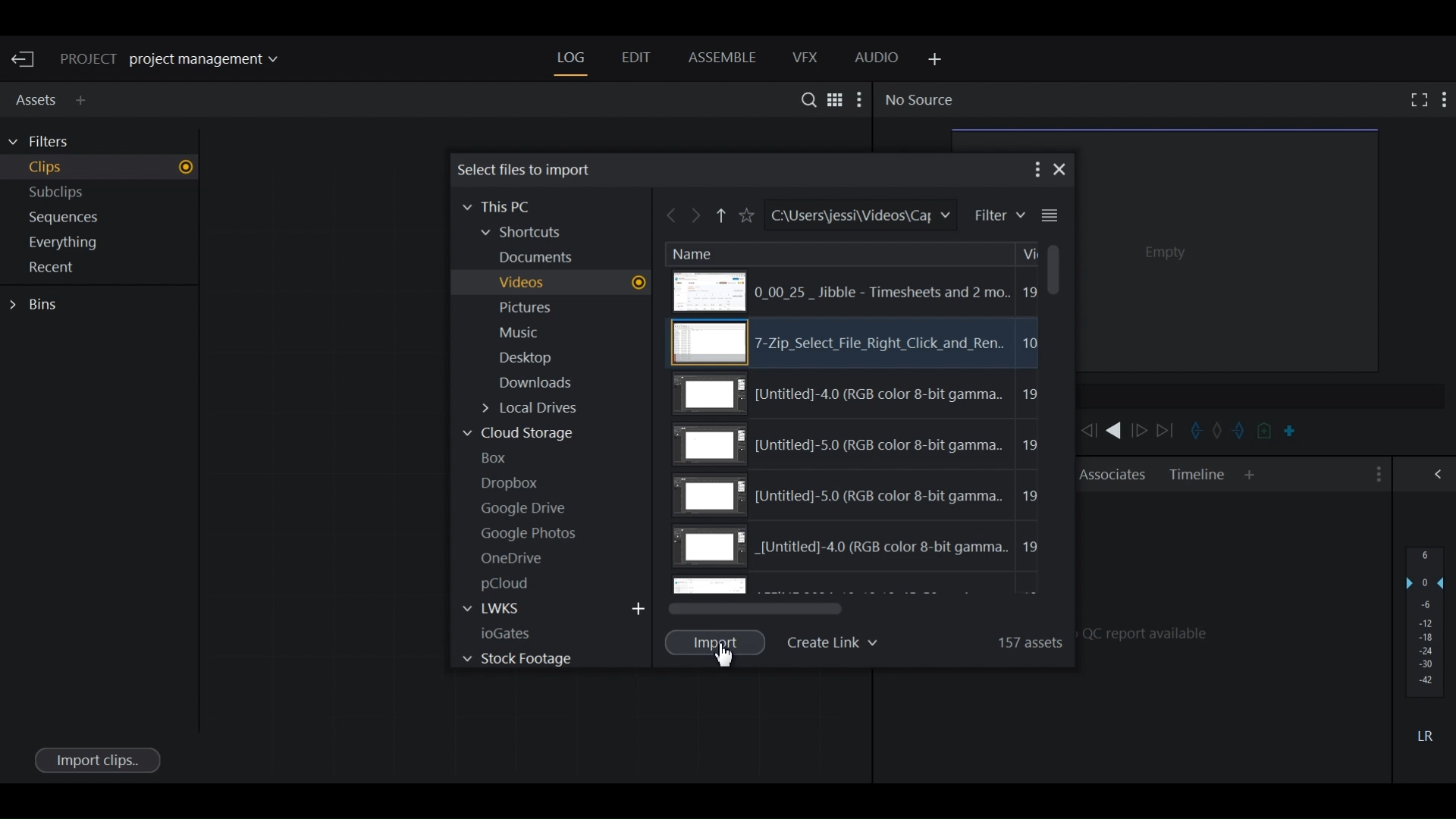  Describe the element at coordinates (860, 494) in the screenshot. I see `RGB color` at that location.